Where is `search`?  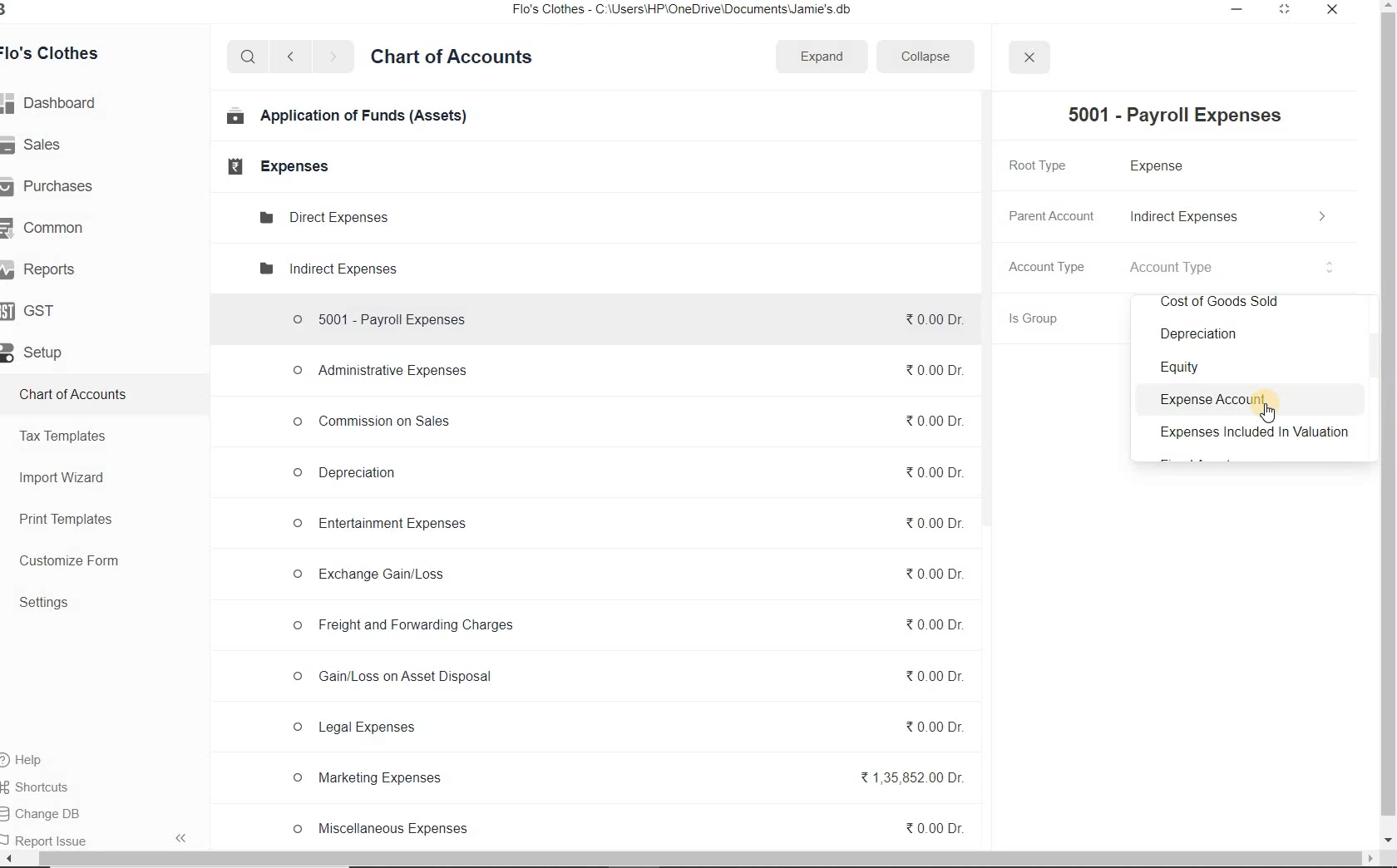 search is located at coordinates (248, 57).